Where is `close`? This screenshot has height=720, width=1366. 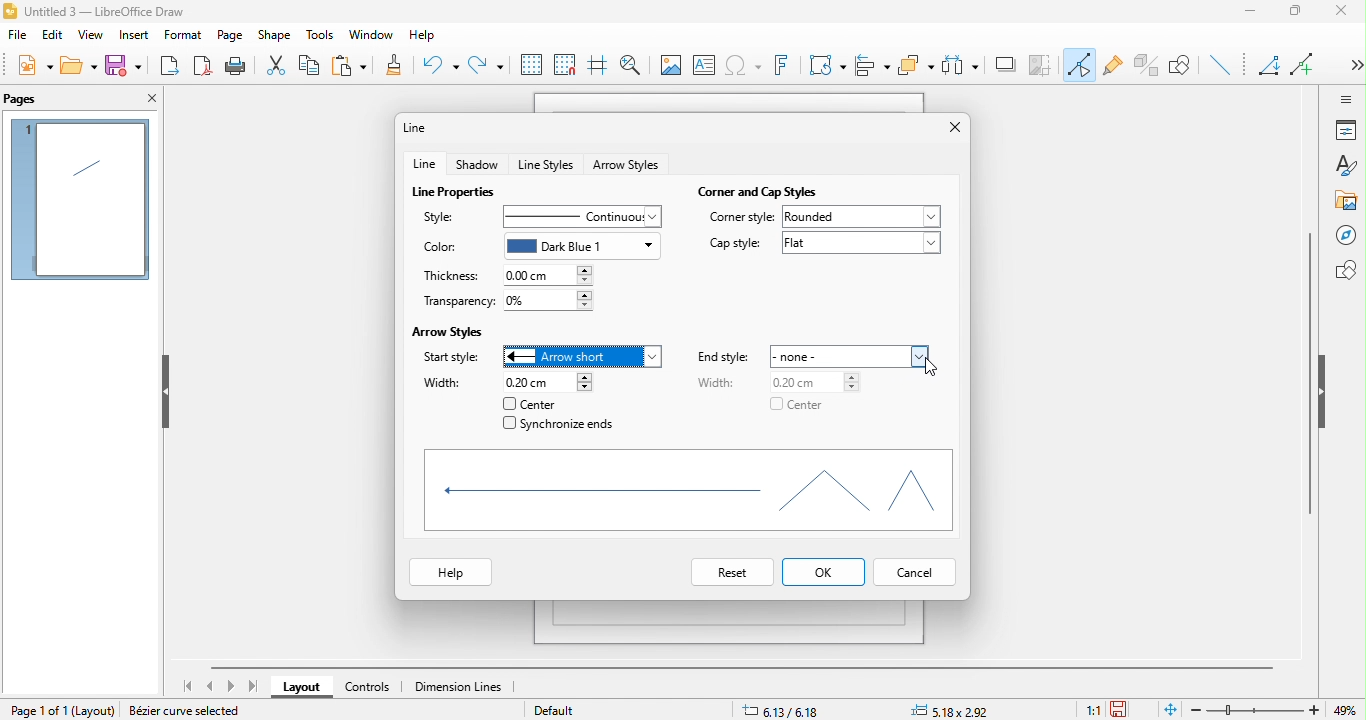 close is located at coordinates (1347, 15).